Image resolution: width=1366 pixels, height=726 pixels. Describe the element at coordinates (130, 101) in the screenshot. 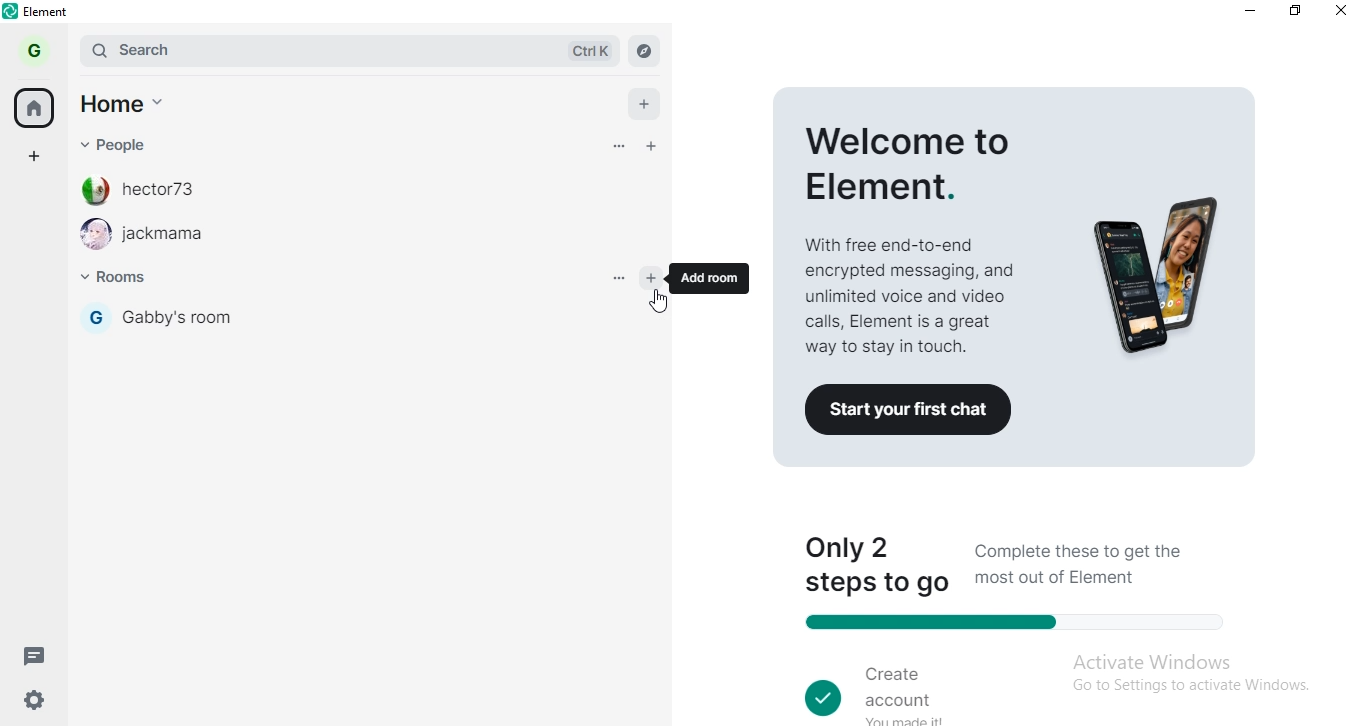

I see `home` at that location.